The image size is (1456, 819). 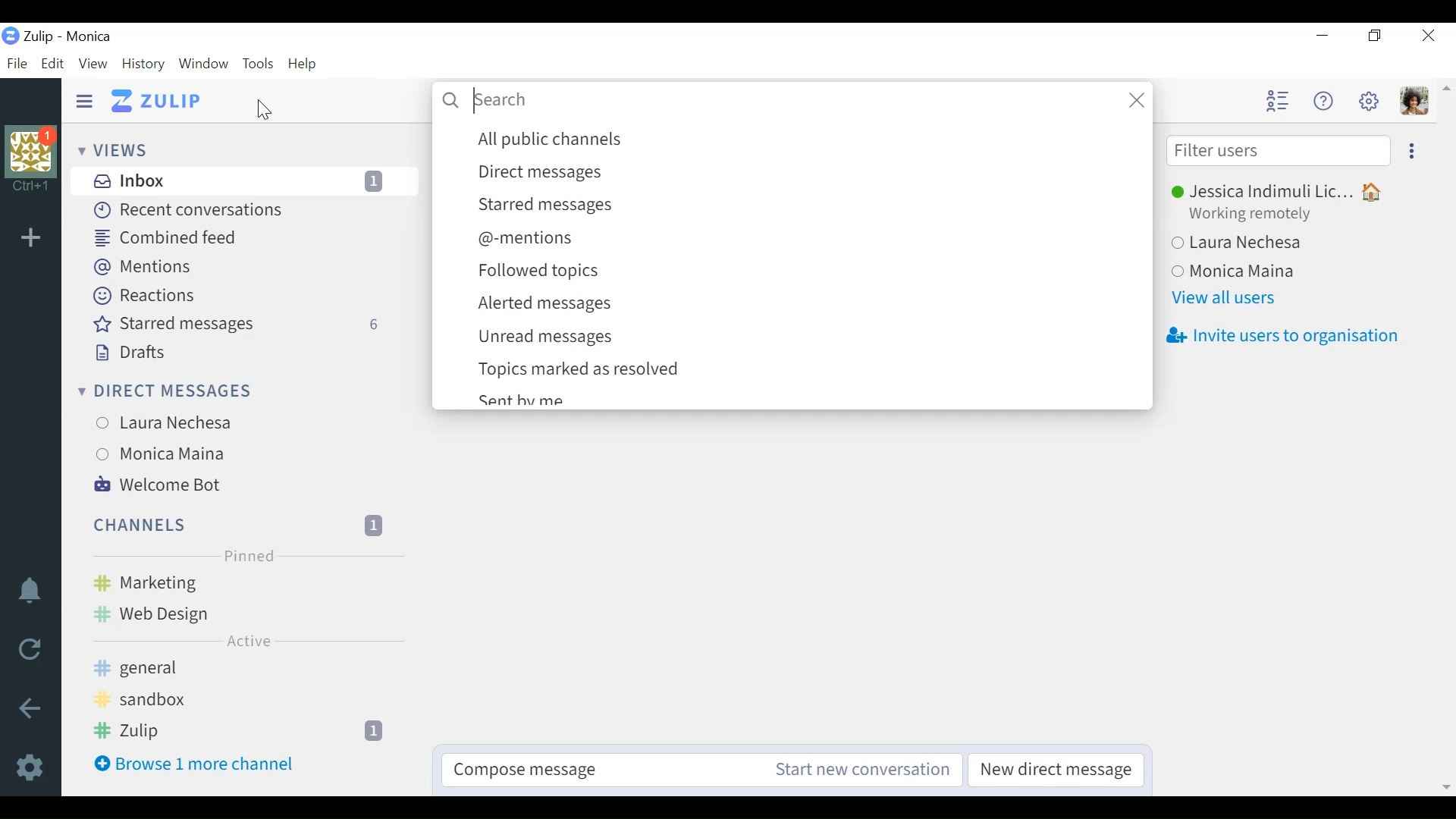 What do you see at coordinates (243, 180) in the screenshot?
I see `Inbox` at bounding box center [243, 180].